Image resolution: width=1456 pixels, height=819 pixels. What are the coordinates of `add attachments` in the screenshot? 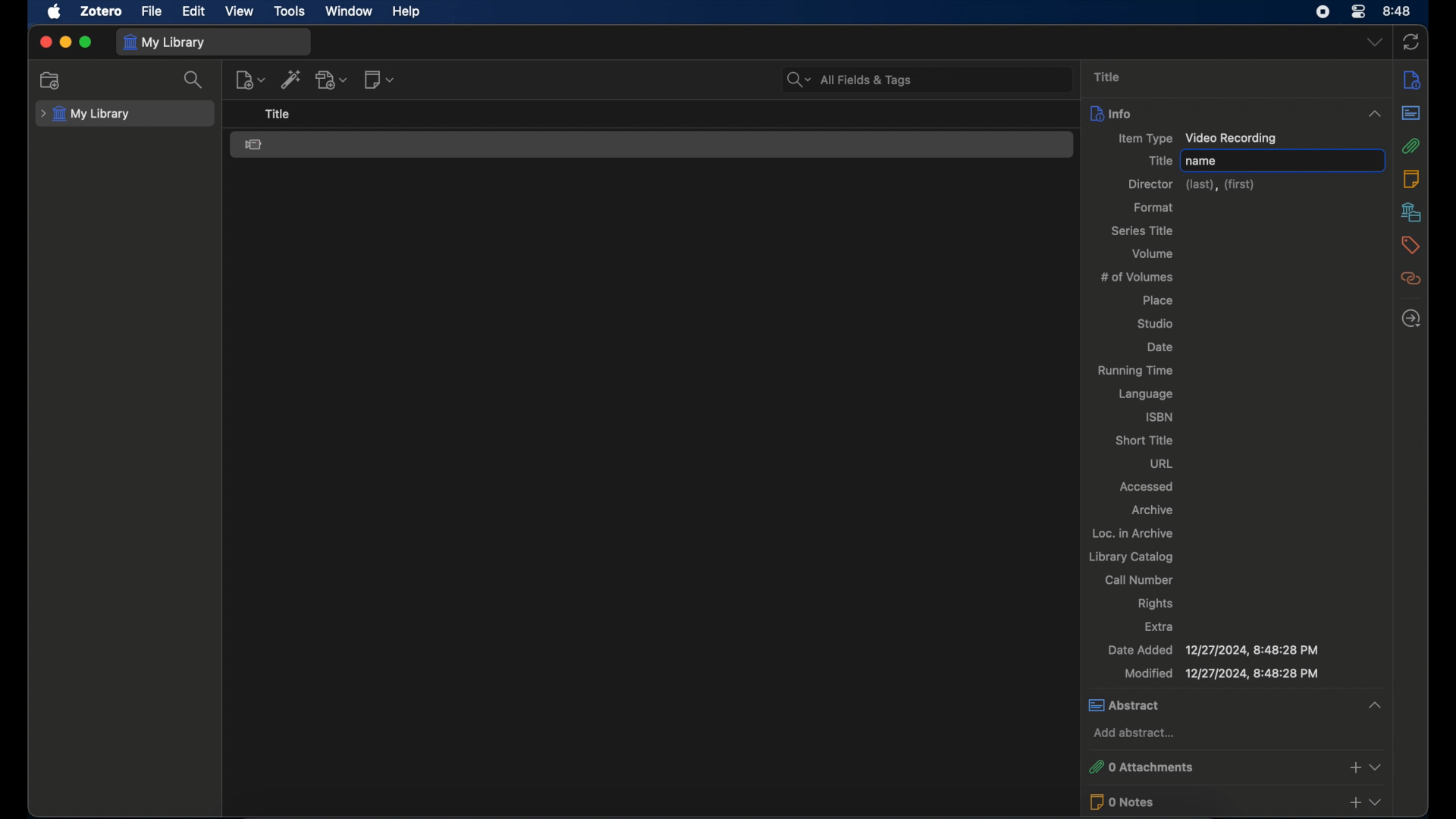 It's located at (1354, 767).